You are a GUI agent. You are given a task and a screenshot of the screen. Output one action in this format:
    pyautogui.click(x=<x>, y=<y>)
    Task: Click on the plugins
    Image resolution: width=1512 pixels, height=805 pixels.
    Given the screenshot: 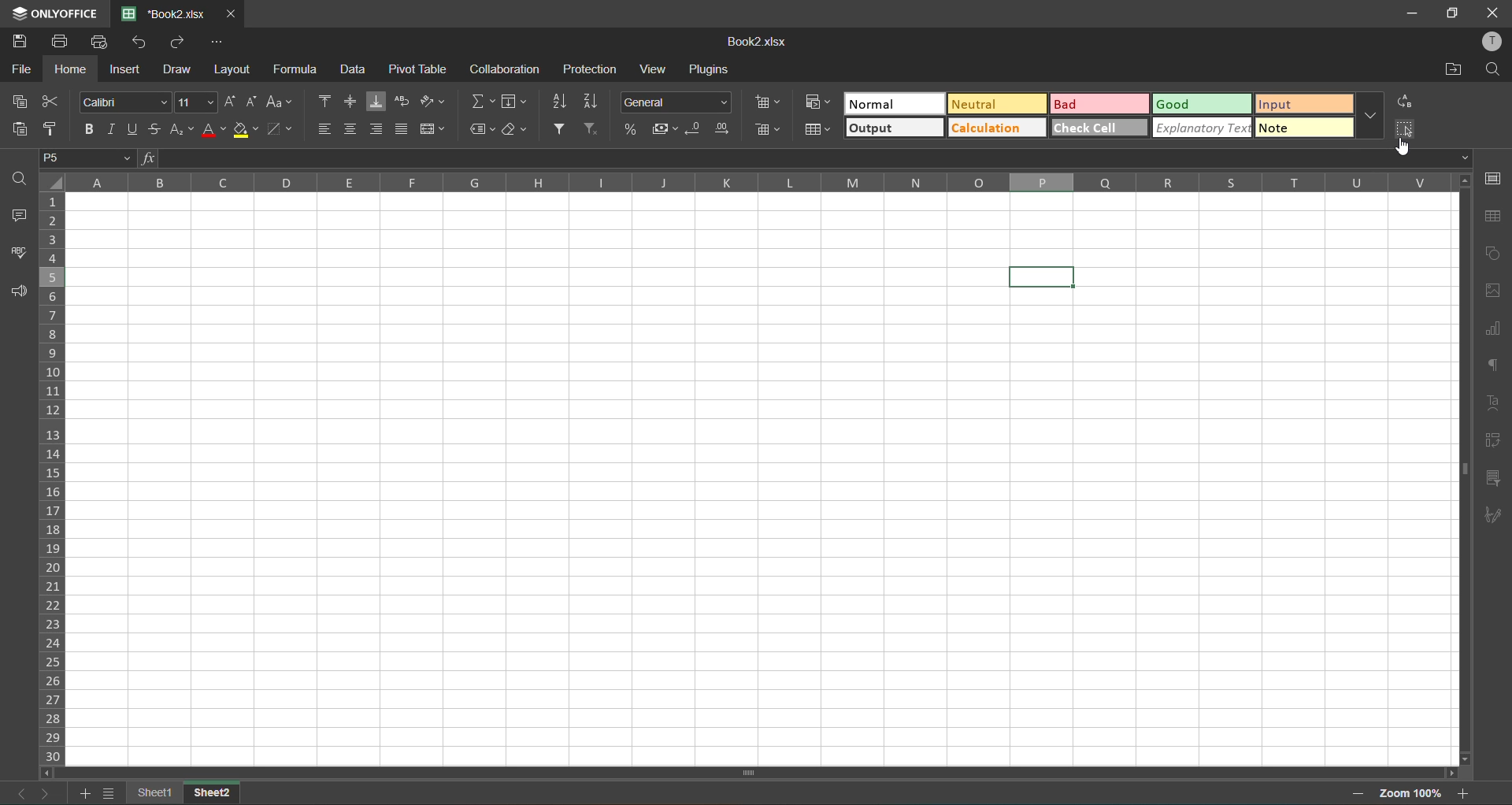 What is the action you would take?
    pyautogui.click(x=714, y=71)
    